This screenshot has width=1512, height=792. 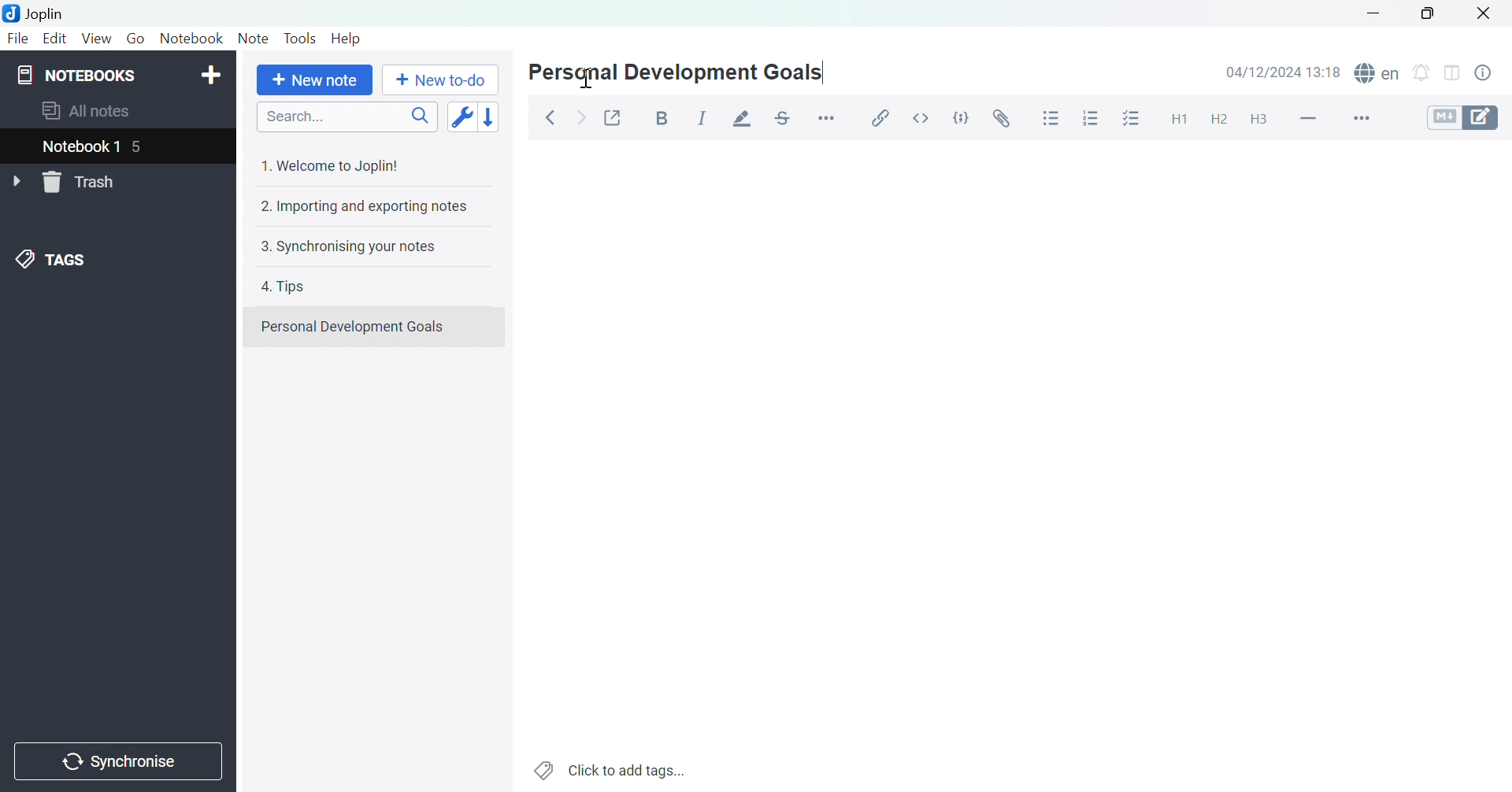 What do you see at coordinates (54, 258) in the screenshot?
I see `TAGS` at bounding box center [54, 258].